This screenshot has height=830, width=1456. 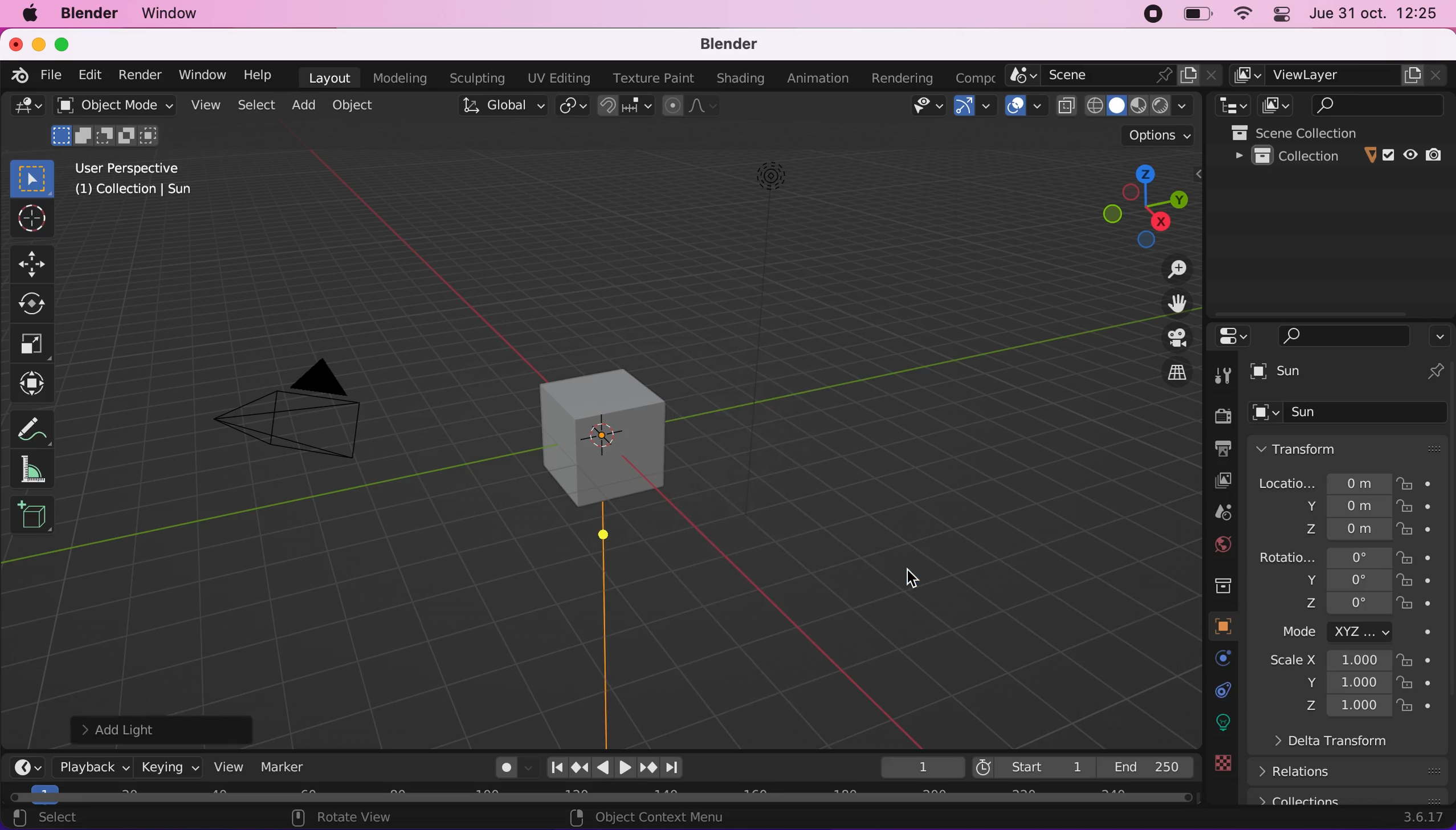 I want to click on scale, so click(x=38, y=343).